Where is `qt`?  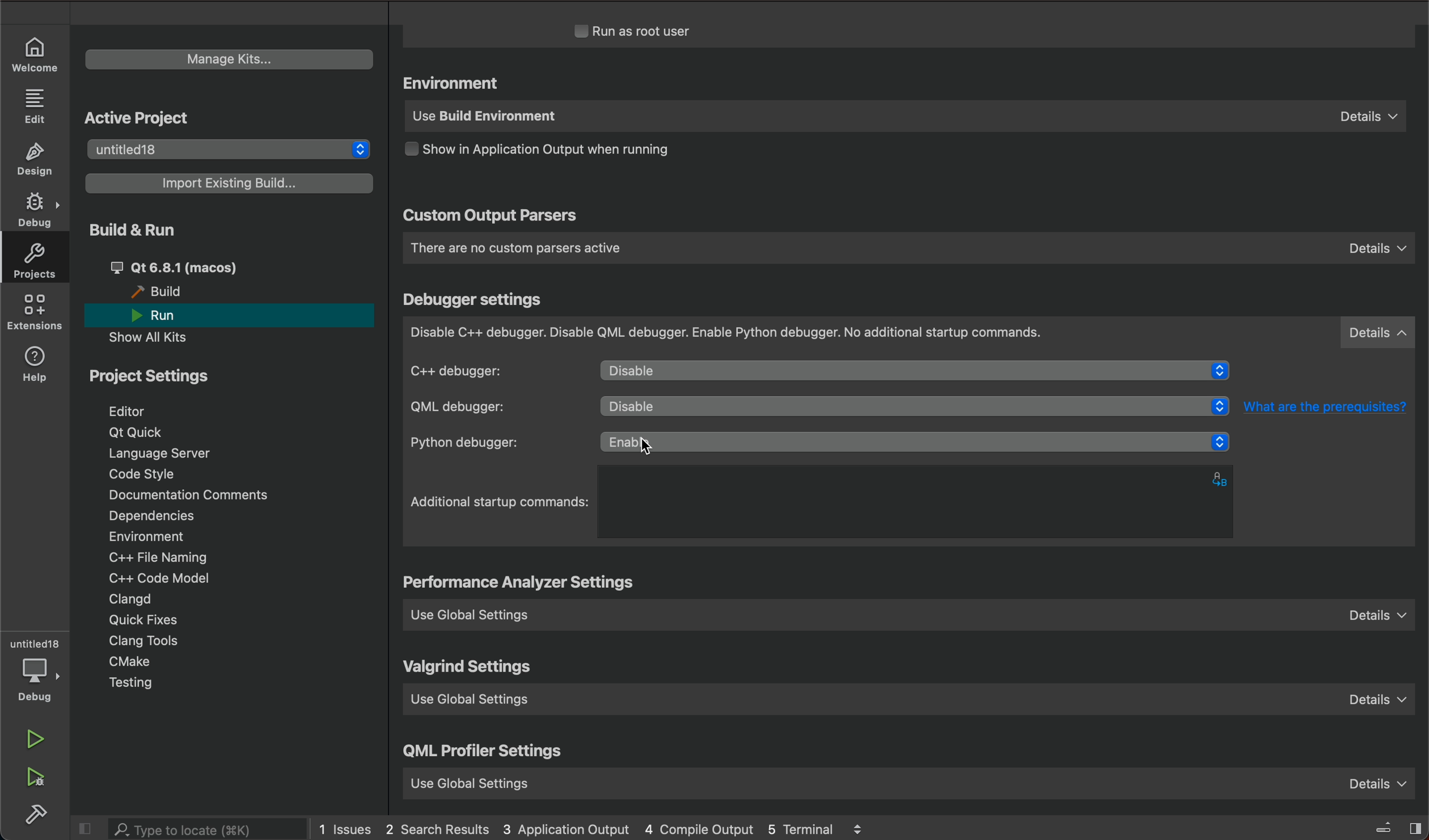
qt is located at coordinates (200, 266).